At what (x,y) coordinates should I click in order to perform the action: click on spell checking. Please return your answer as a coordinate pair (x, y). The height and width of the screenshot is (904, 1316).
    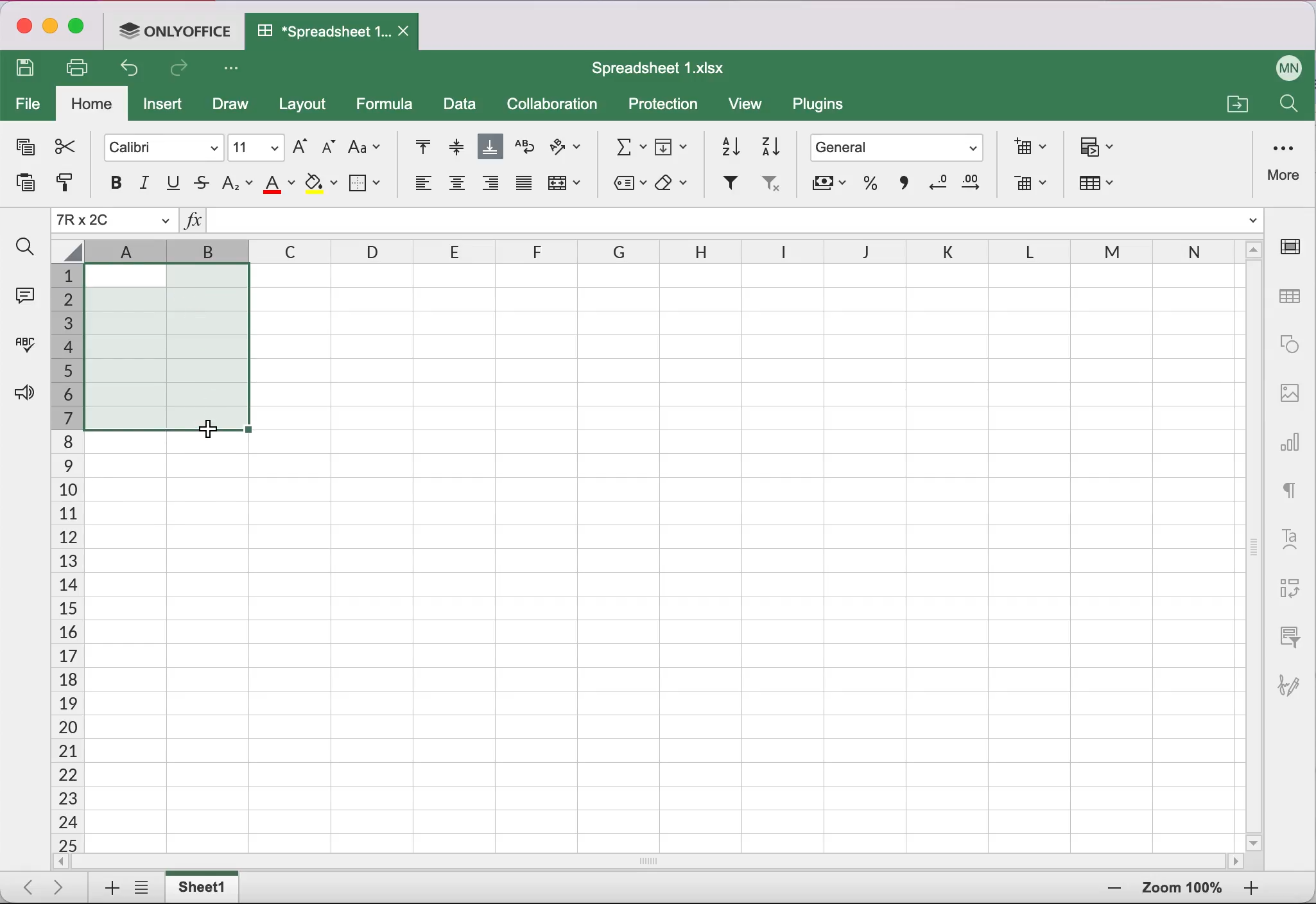
    Looking at the image, I should click on (22, 349).